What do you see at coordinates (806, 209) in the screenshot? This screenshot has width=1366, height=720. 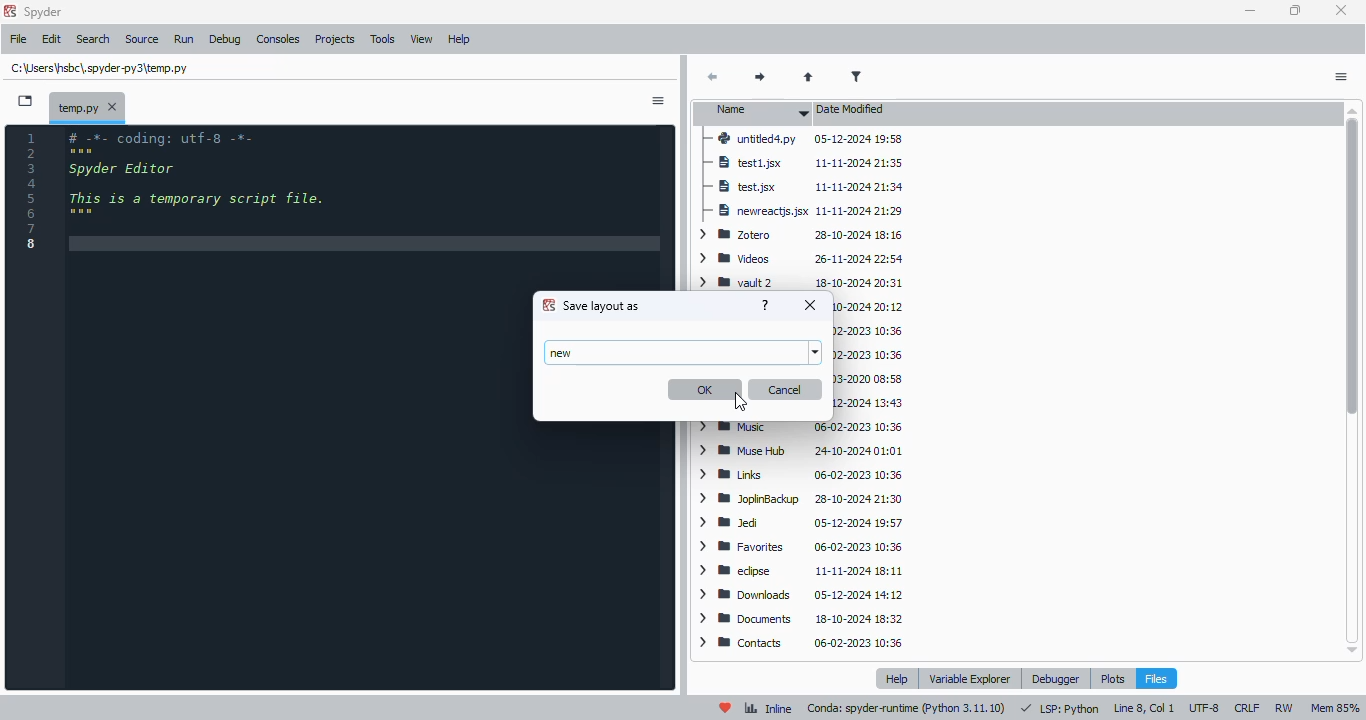 I see `newreactjs.jsx` at bounding box center [806, 209].